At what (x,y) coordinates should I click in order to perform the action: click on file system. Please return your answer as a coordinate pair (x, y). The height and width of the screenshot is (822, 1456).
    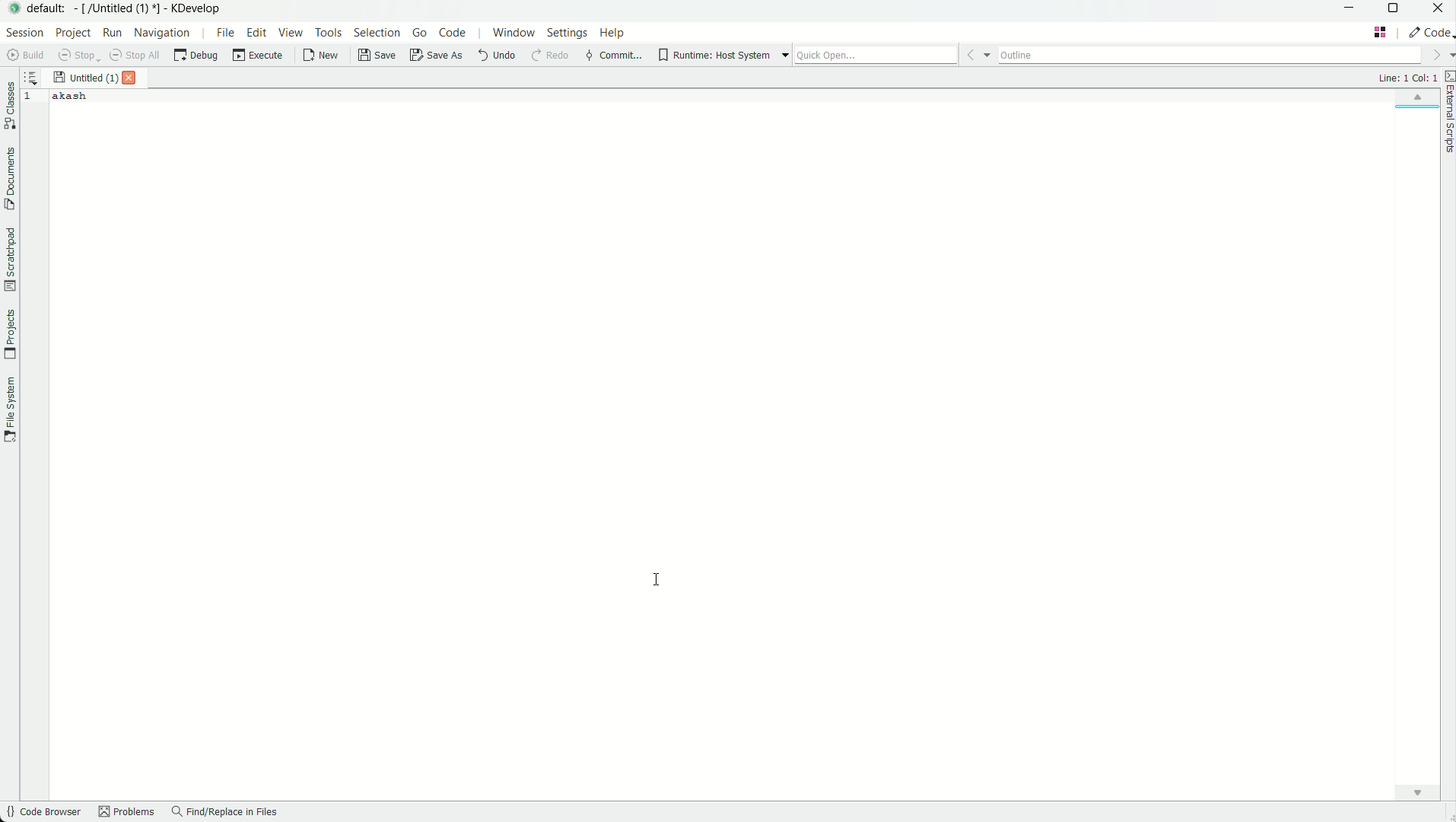
    Looking at the image, I should click on (9, 407).